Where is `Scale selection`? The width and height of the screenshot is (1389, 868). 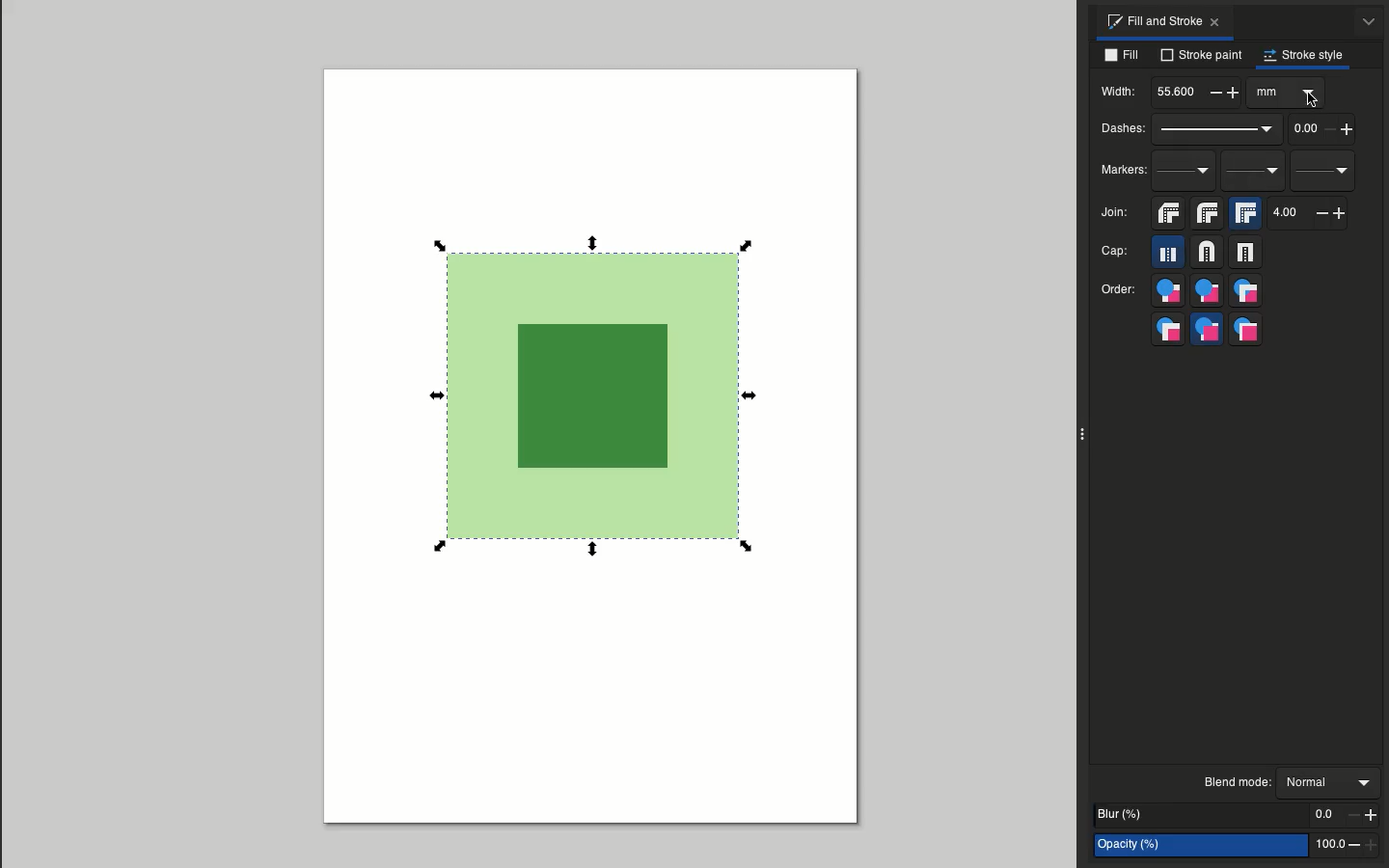
Scale selection is located at coordinates (438, 551).